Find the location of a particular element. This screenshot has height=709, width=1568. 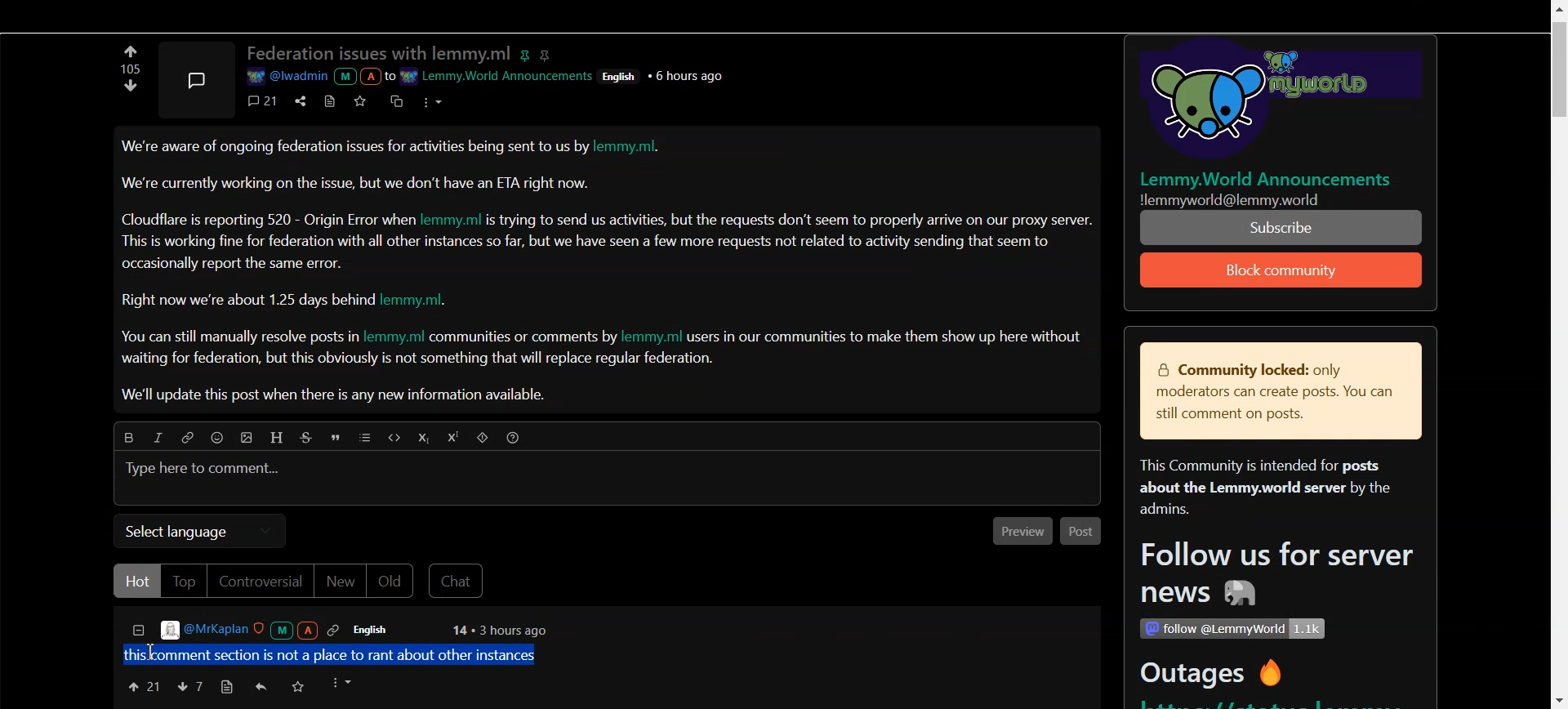

@MrKaplan is located at coordinates (252, 630).